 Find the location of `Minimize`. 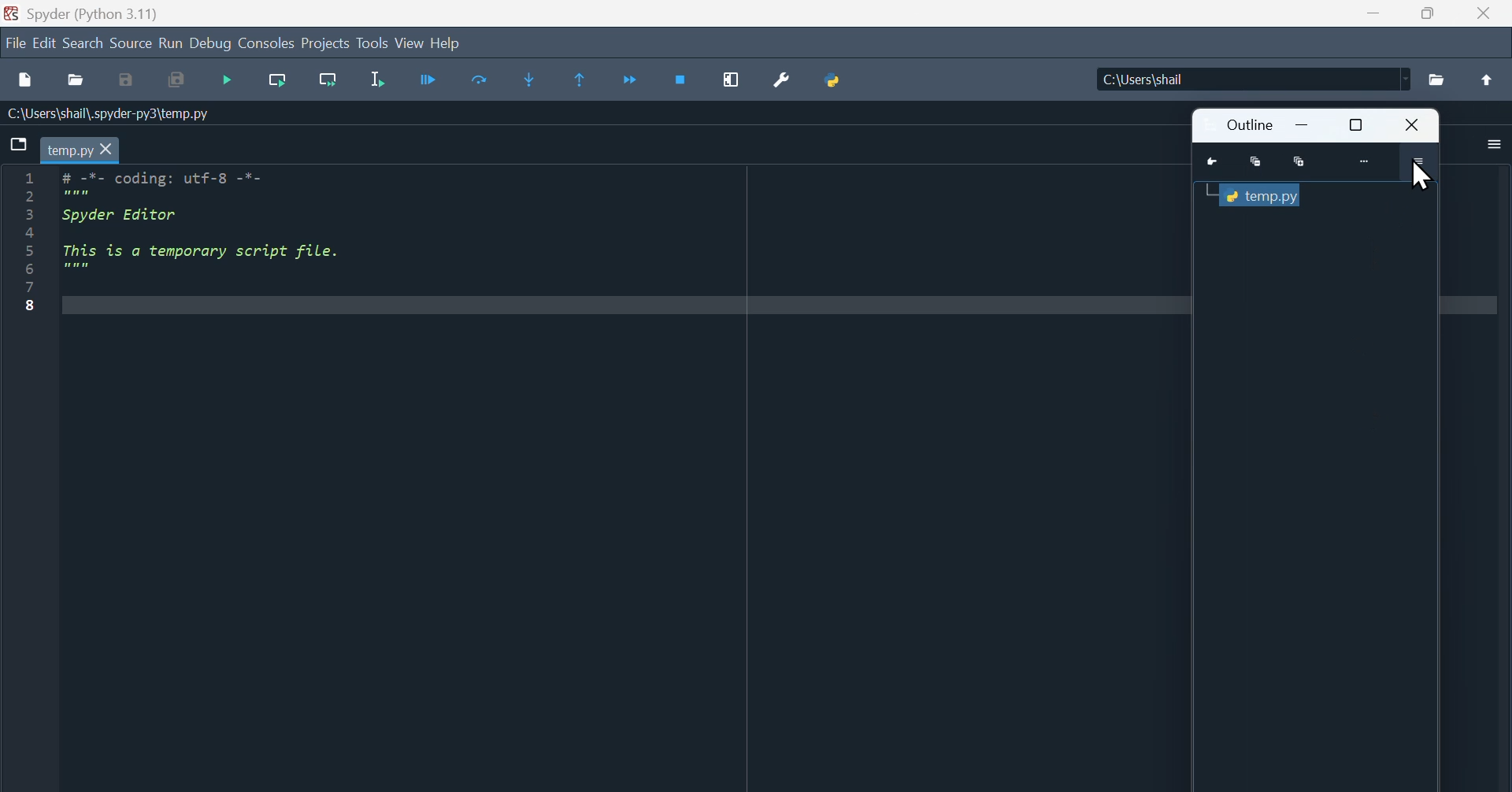

Minimize is located at coordinates (1304, 125).